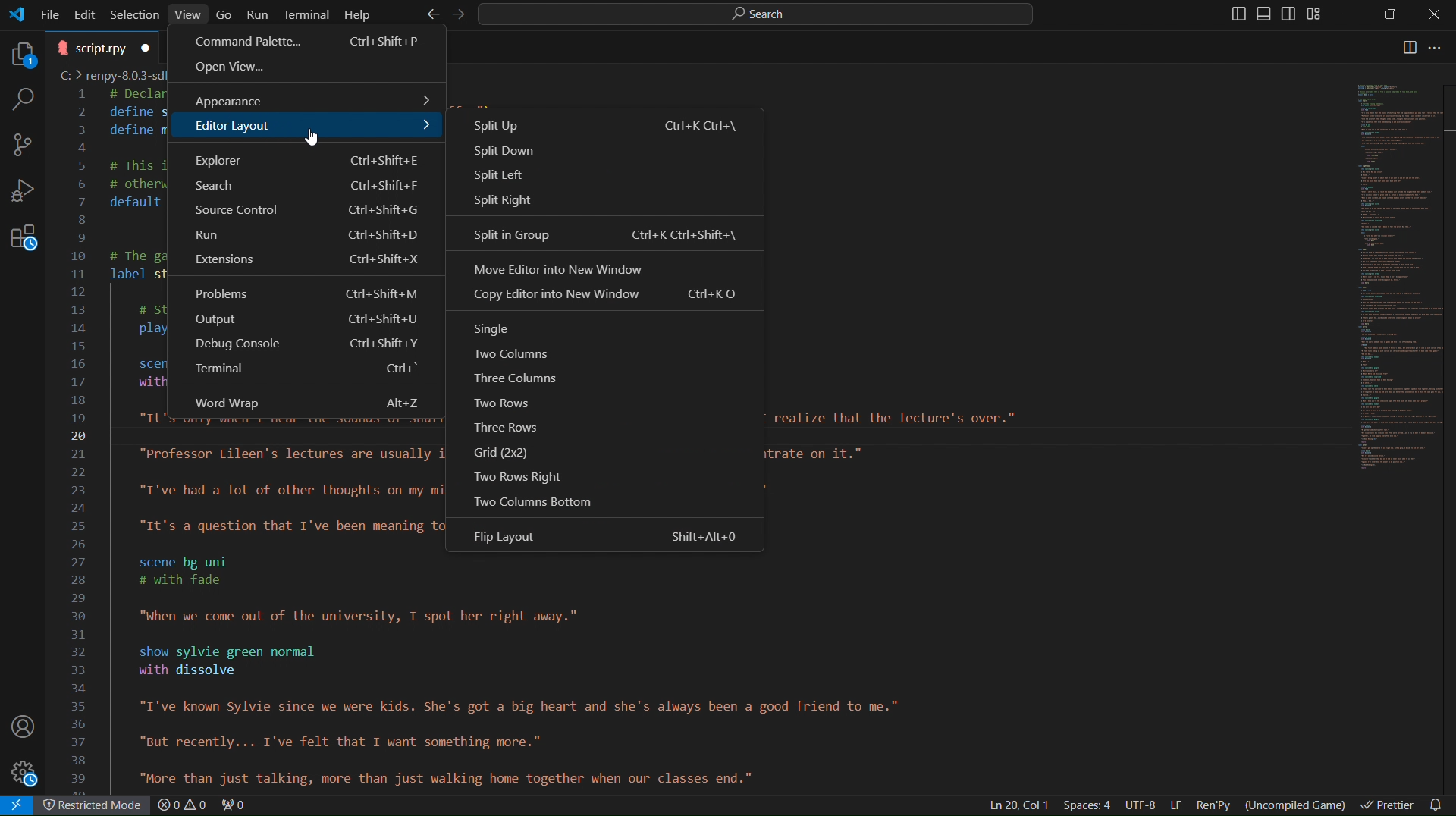 This screenshot has height=816, width=1456. Describe the element at coordinates (520, 406) in the screenshot. I see `Two Rows` at that location.